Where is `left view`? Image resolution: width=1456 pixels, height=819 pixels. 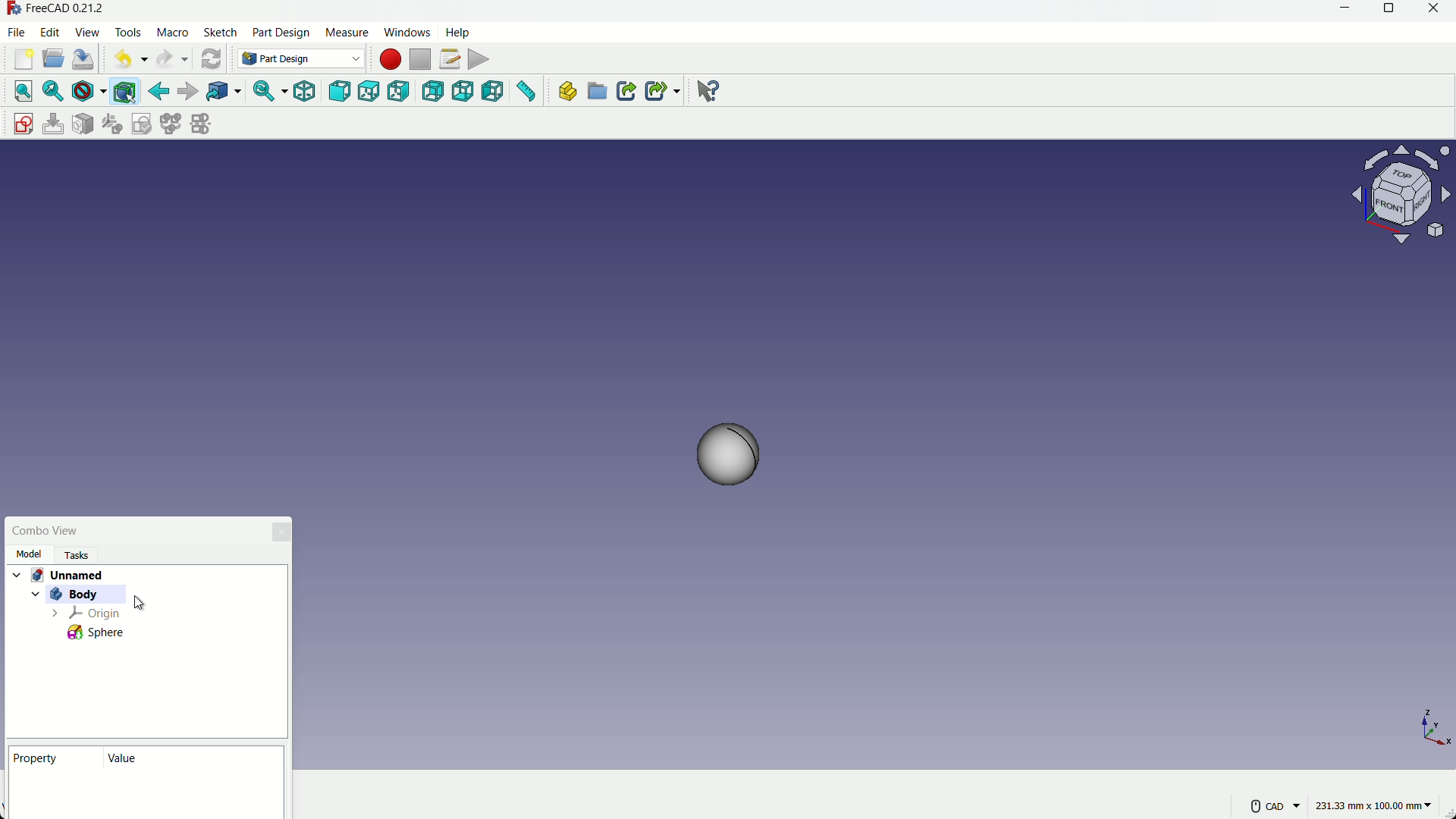 left view is located at coordinates (493, 91).